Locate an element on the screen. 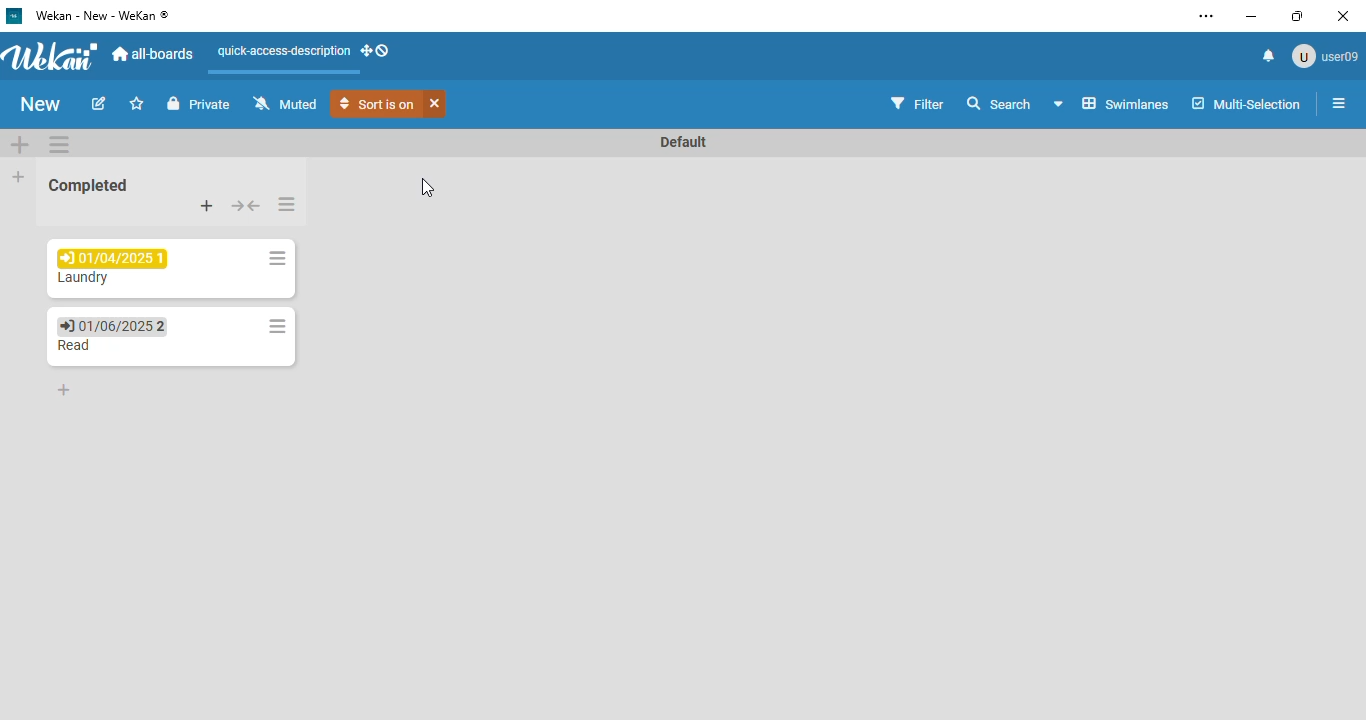 The width and height of the screenshot is (1366, 720). Completed is located at coordinates (89, 185).